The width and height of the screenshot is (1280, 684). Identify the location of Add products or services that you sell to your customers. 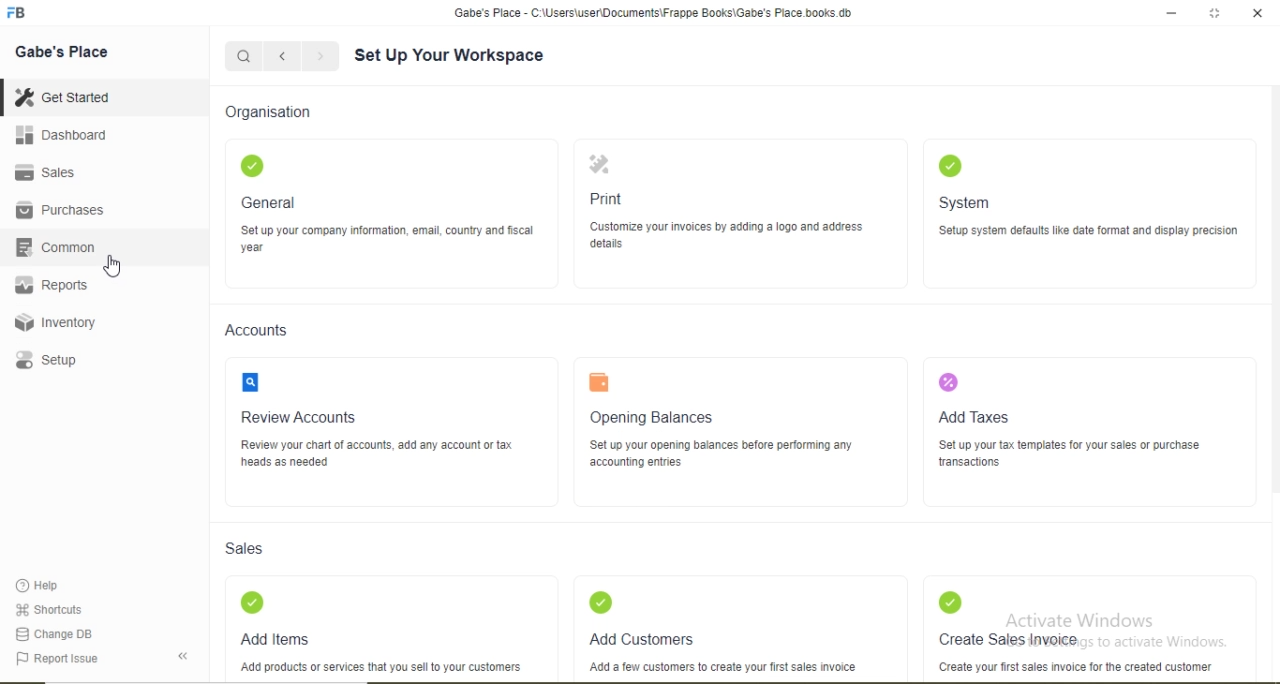
(383, 667).